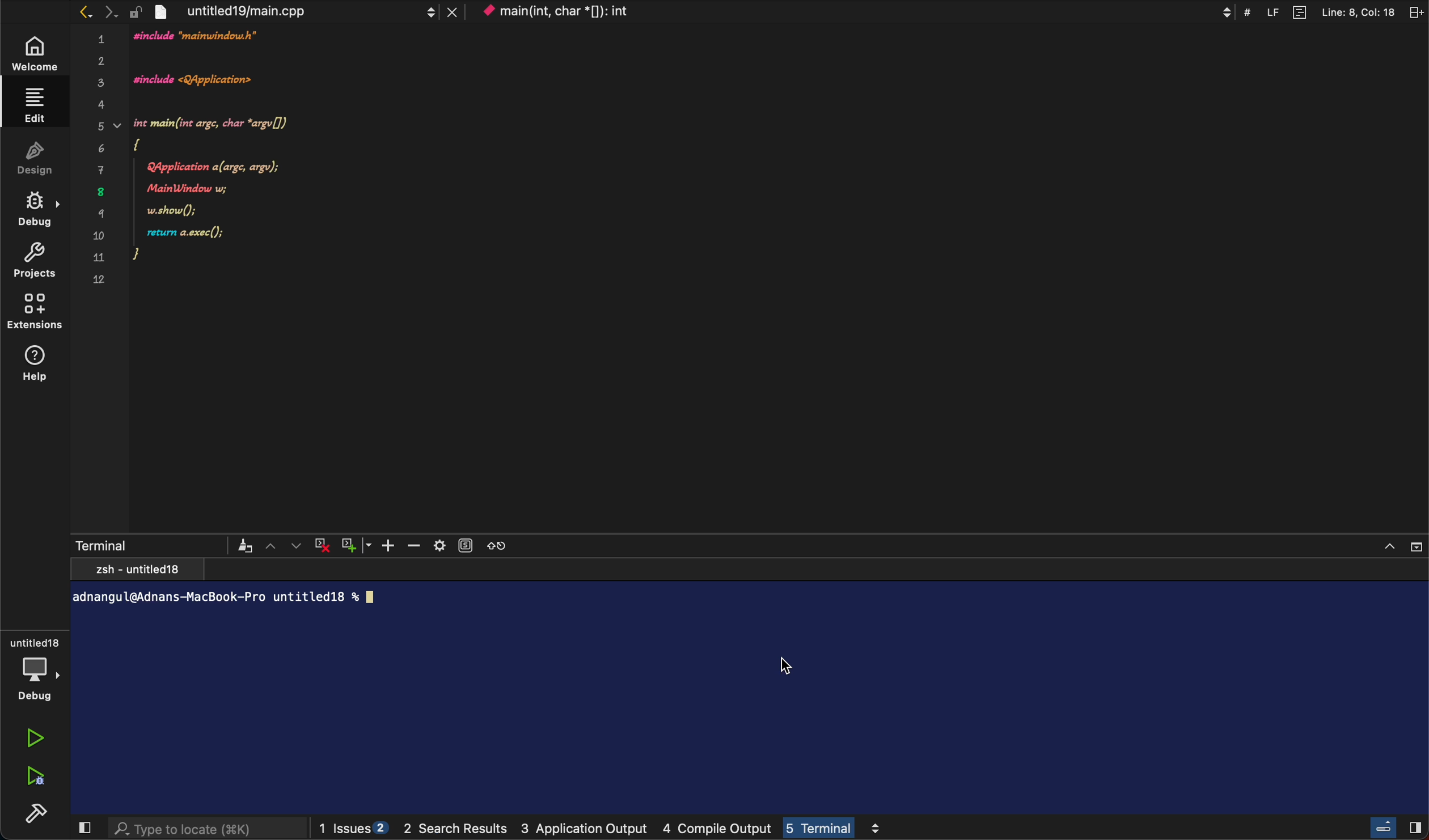 Image resolution: width=1429 pixels, height=840 pixels. I want to click on run debug, so click(33, 773).